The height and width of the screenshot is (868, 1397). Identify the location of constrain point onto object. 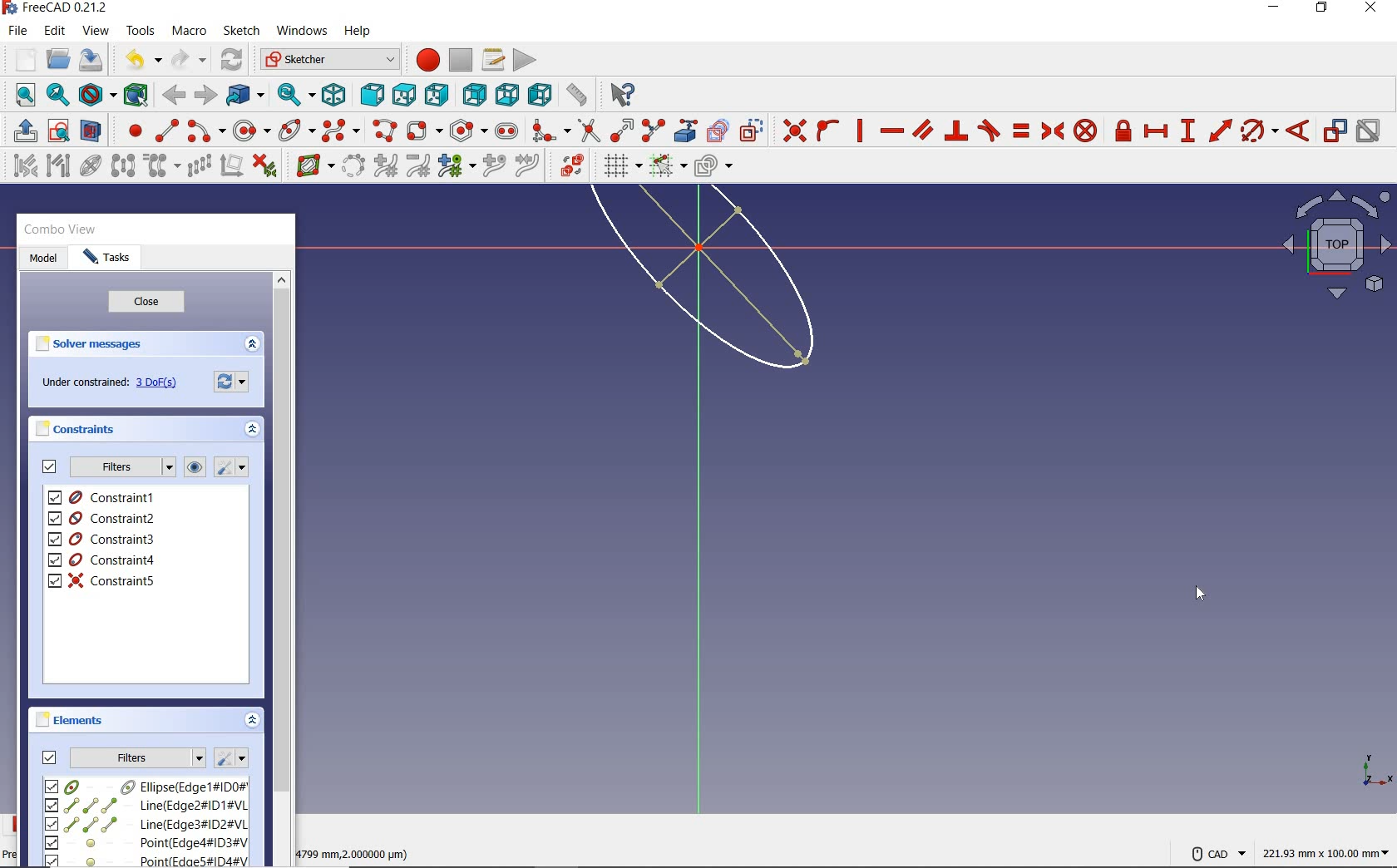
(828, 131).